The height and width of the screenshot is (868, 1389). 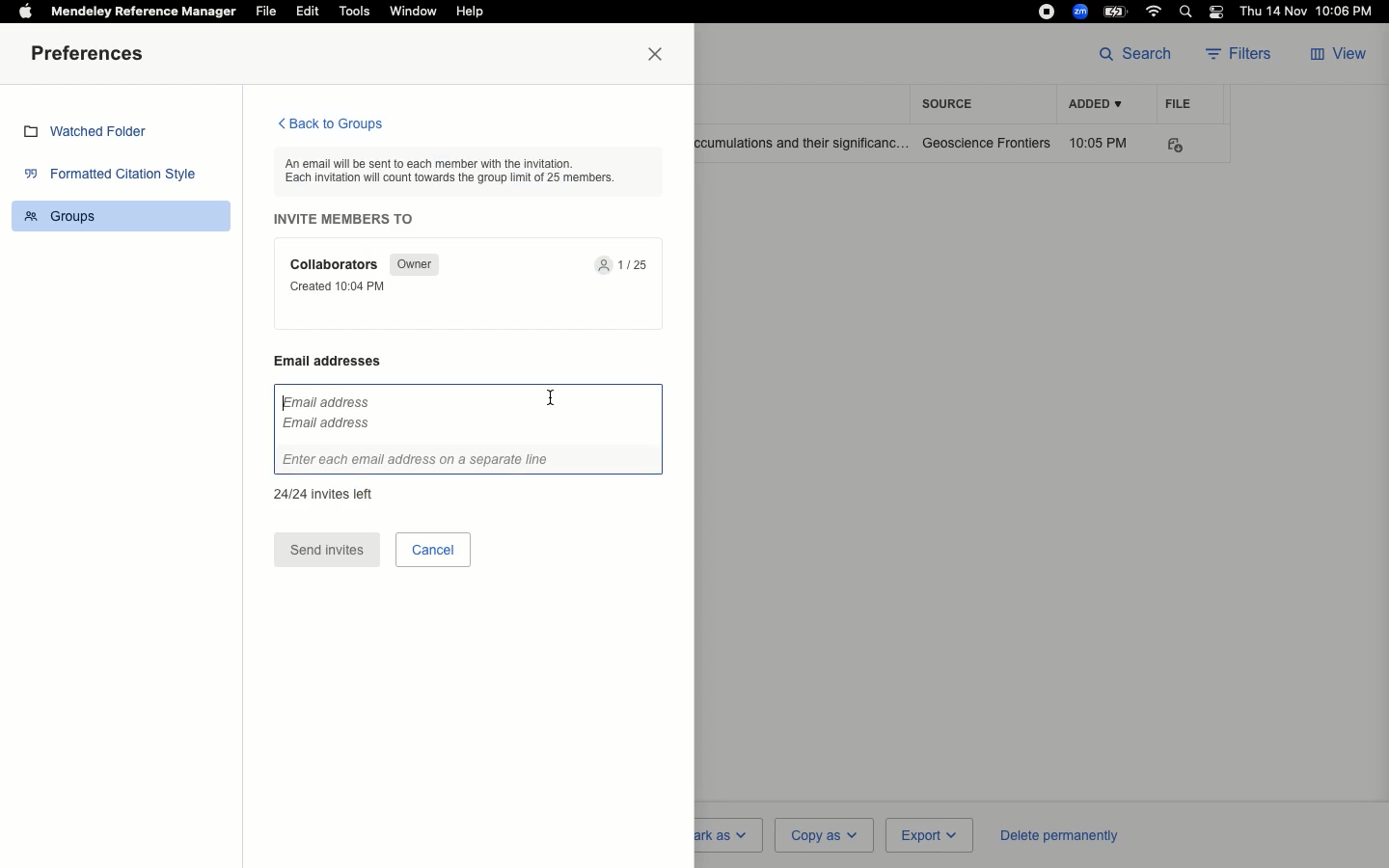 What do you see at coordinates (92, 134) in the screenshot?
I see `Watched folder` at bounding box center [92, 134].